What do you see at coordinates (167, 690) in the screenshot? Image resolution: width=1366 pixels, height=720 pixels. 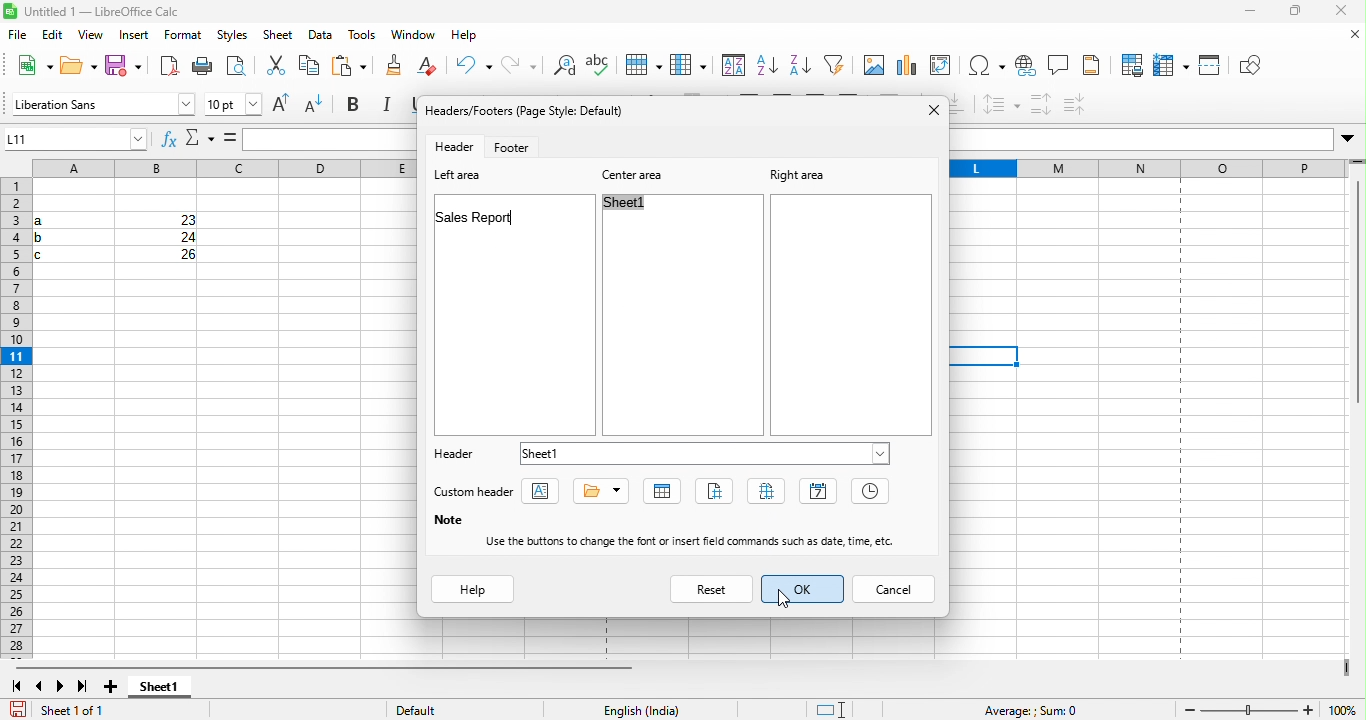 I see `sheet 1` at bounding box center [167, 690].